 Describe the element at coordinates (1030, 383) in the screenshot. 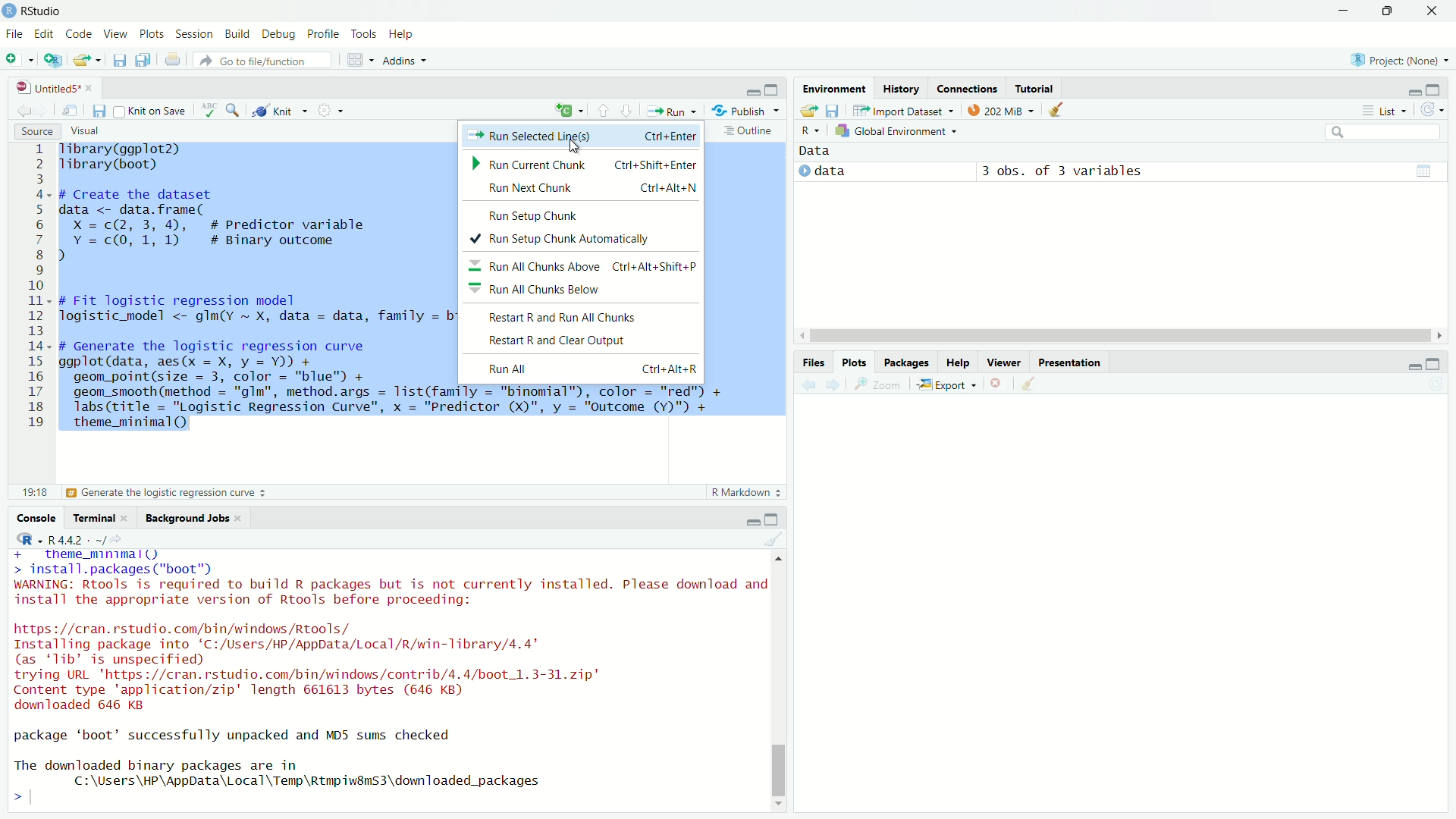

I see `Clear all plots` at that location.